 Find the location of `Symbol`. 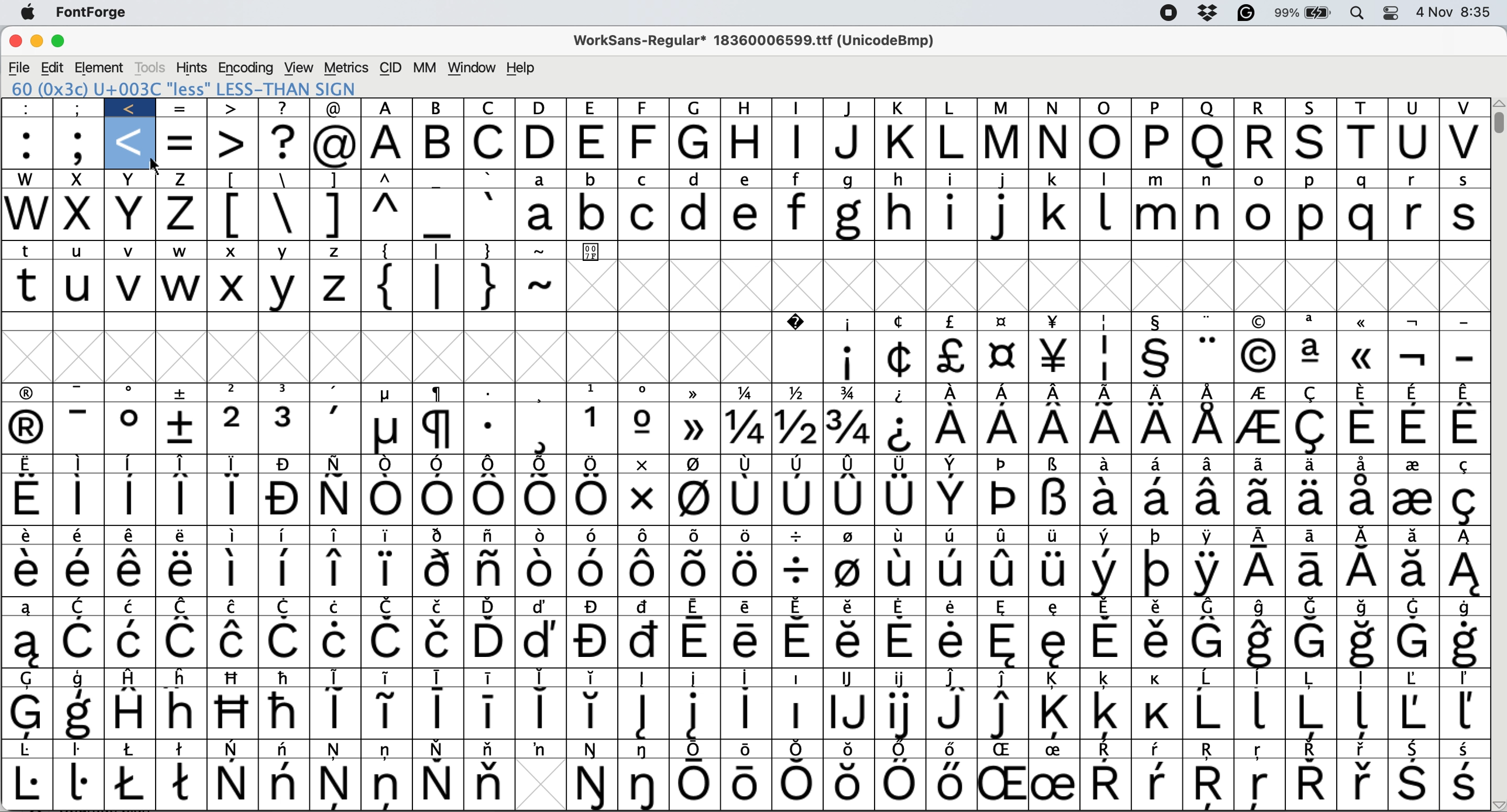

Symbol is located at coordinates (902, 392).